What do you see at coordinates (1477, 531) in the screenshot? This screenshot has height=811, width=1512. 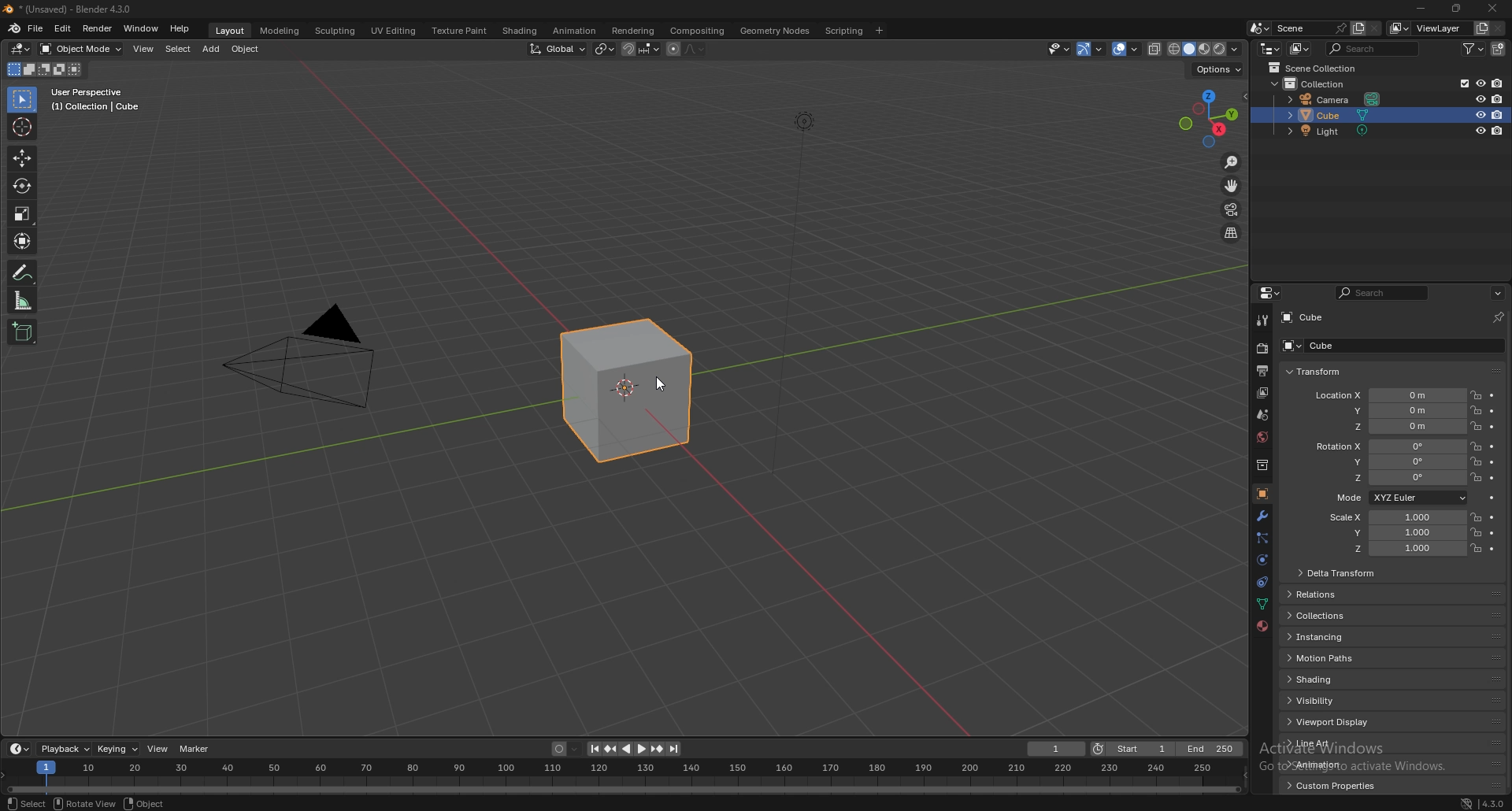 I see `lock location` at bounding box center [1477, 531].